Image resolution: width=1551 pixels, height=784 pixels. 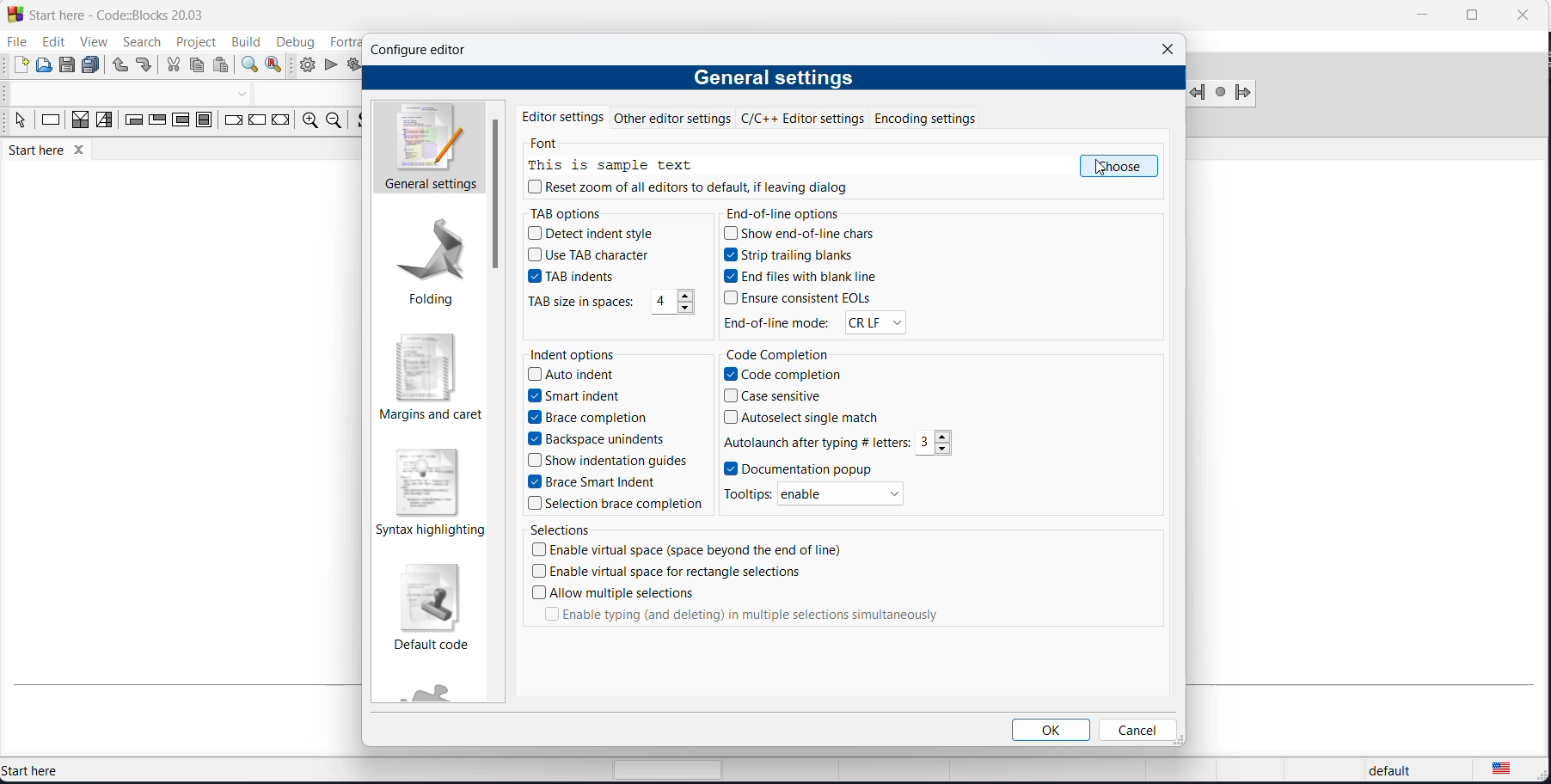 What do you see at coordinates (800, 468) in the screenshot?
I see `documentation popup` at bounding box center [800, 468].